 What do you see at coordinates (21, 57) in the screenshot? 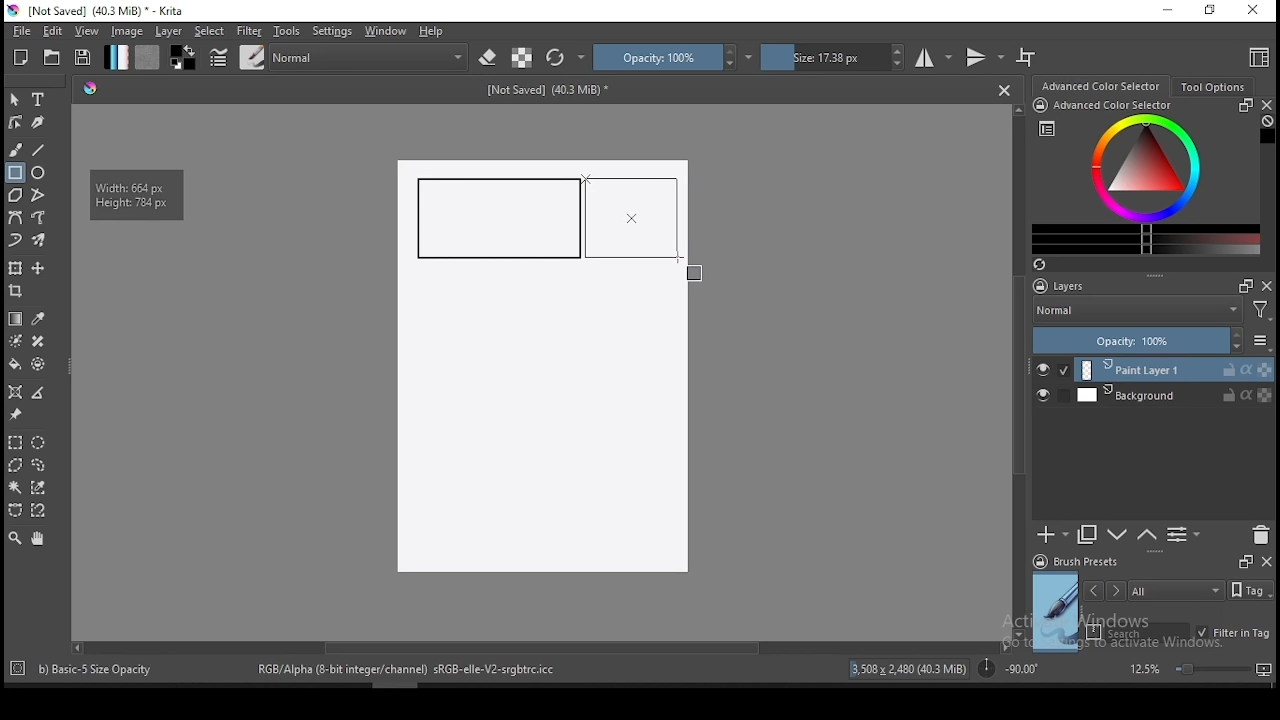
I see `new` at bounding box center [21, 57].